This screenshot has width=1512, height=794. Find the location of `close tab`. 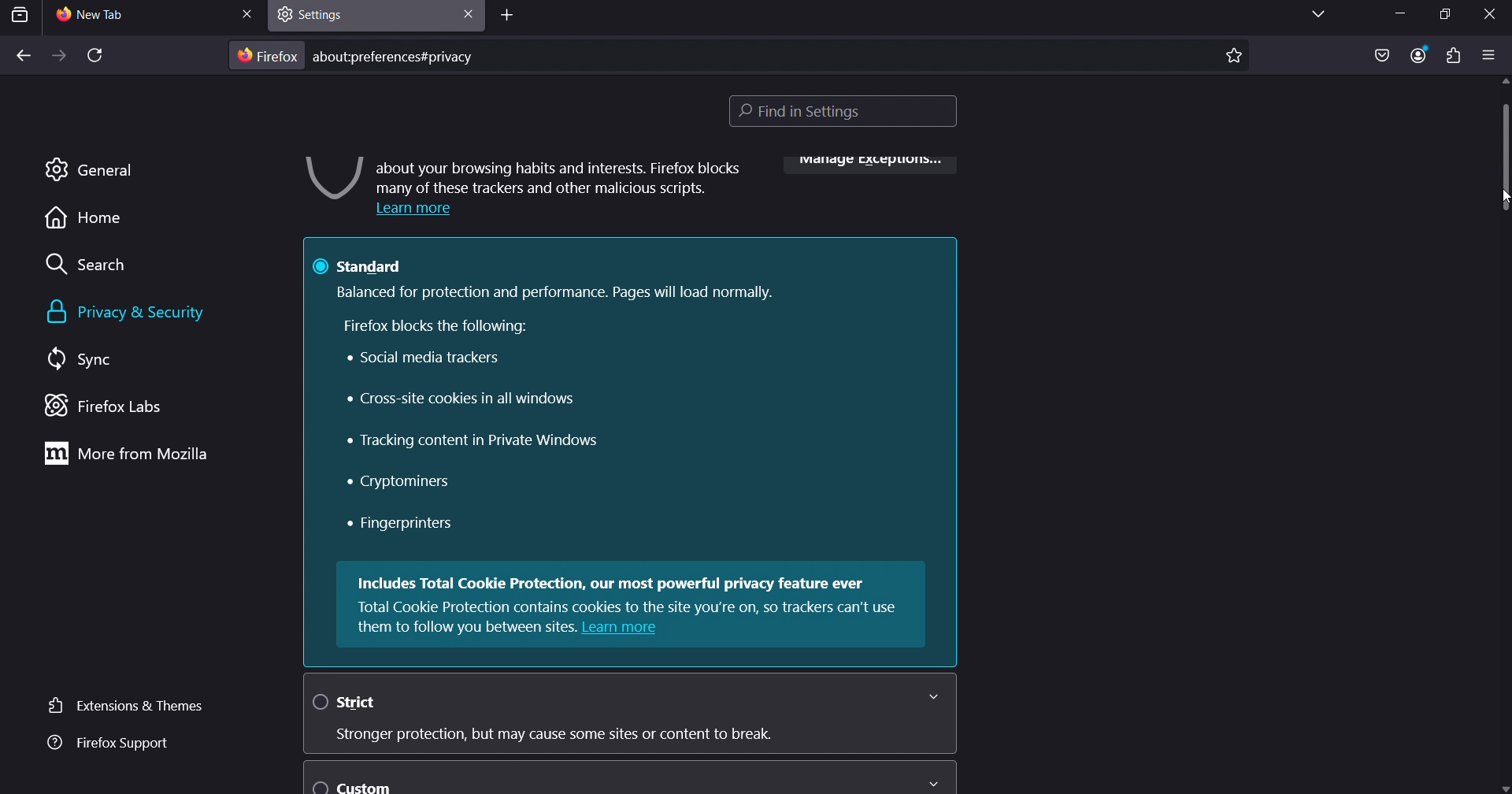

close tab is located at coordinates (465, 13).